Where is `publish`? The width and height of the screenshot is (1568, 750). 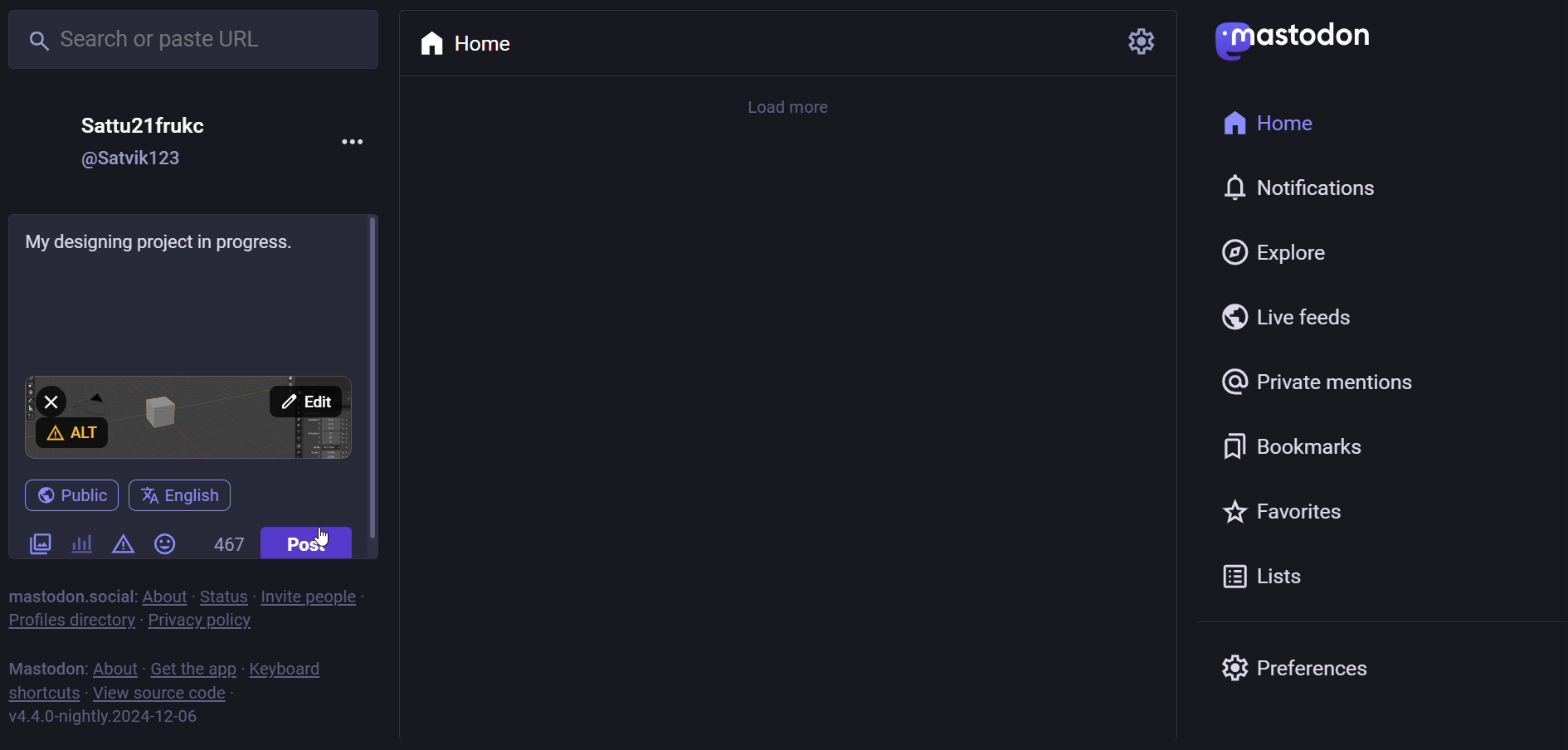
publish is located at coordinates (66, 494).